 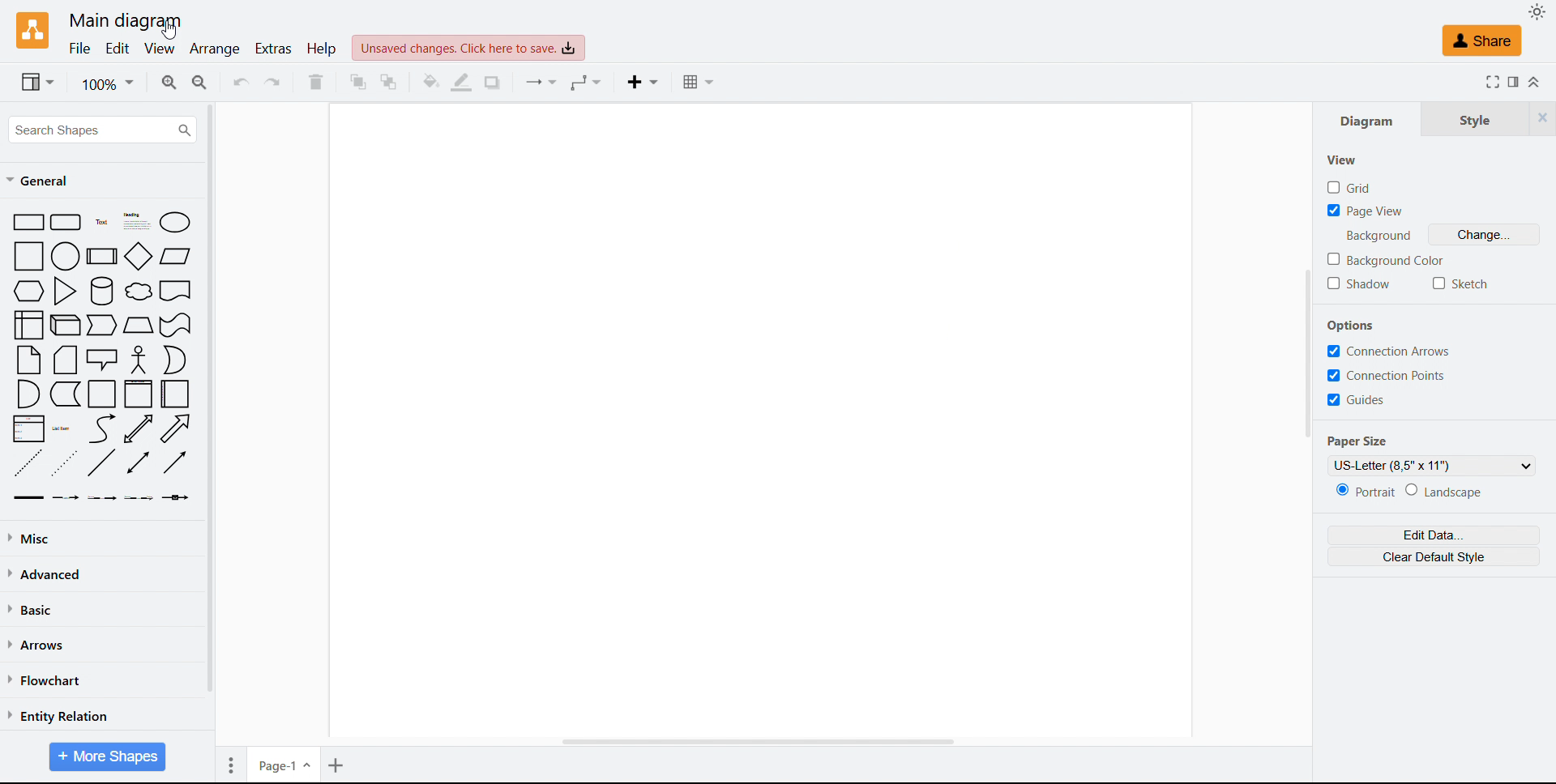 What do you see at coordinates (1307, 354) in the screenshot?
I see `Scroll bar ` at bounding box center [1307, 354].